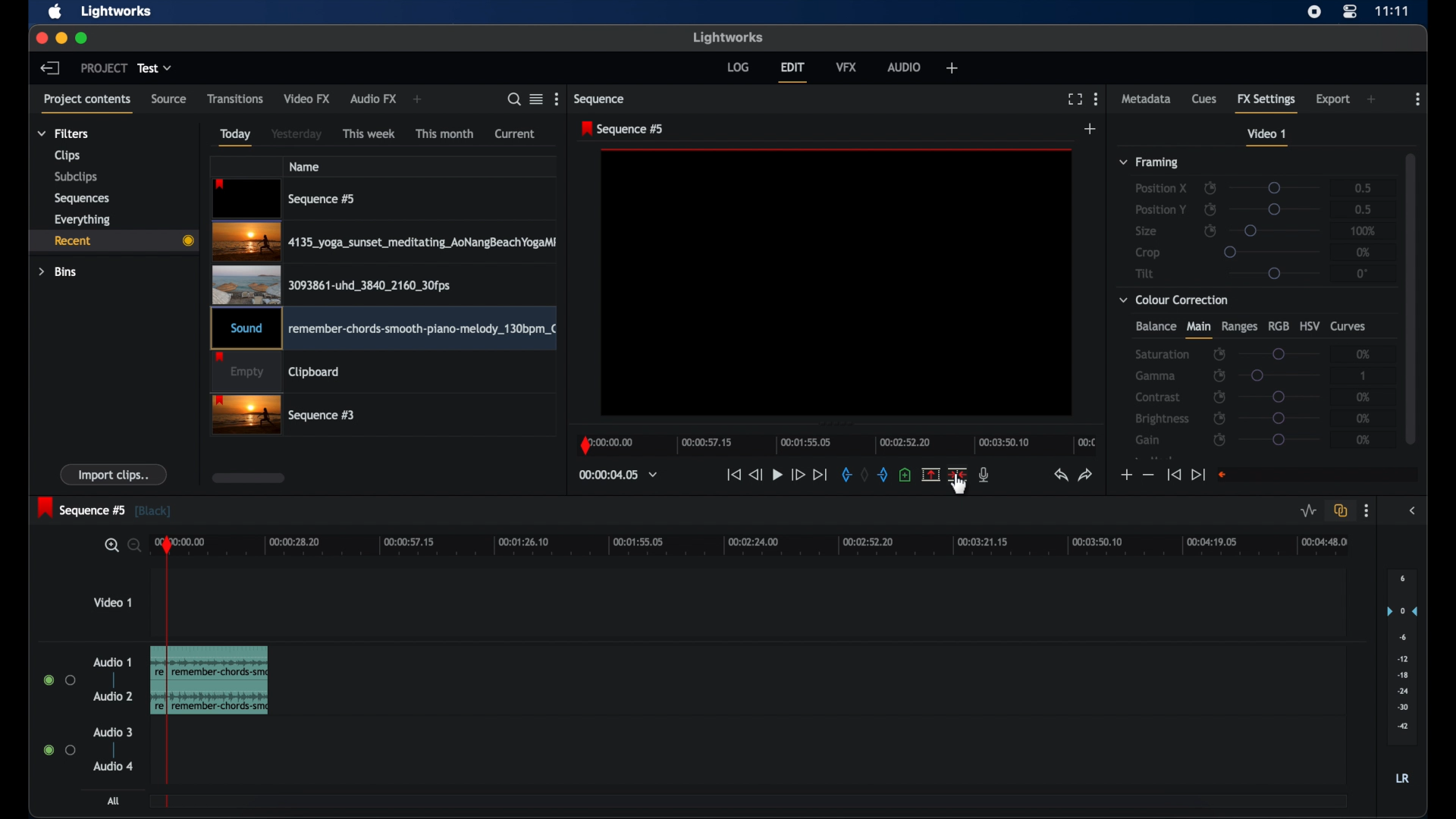 Image resolution: width=1456 pixels, height=819 pixels. Describe the element at coordinates (793, 73) in the screenshot. I see `edit` at that location.